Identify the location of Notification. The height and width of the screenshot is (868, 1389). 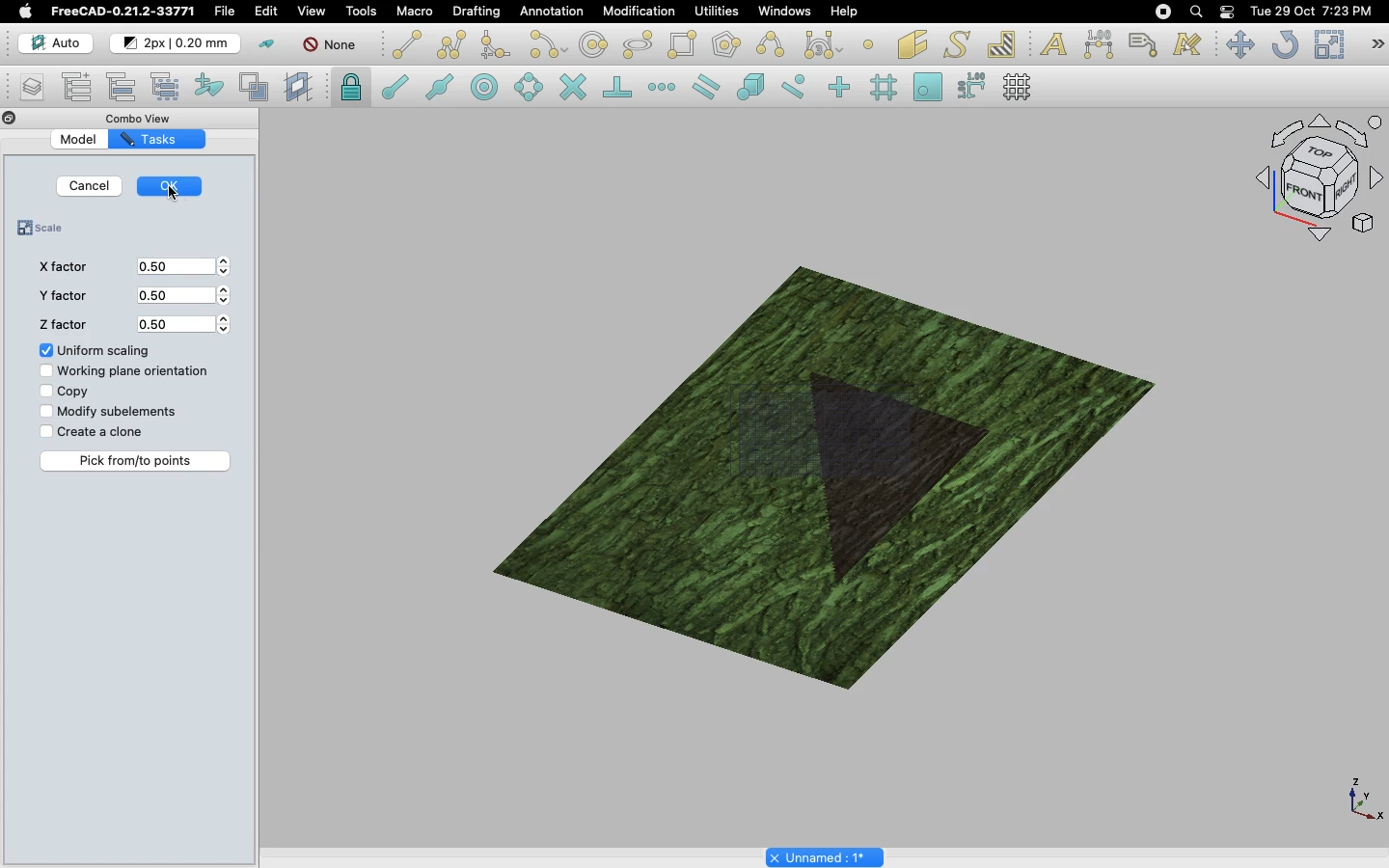
(1228, 11).